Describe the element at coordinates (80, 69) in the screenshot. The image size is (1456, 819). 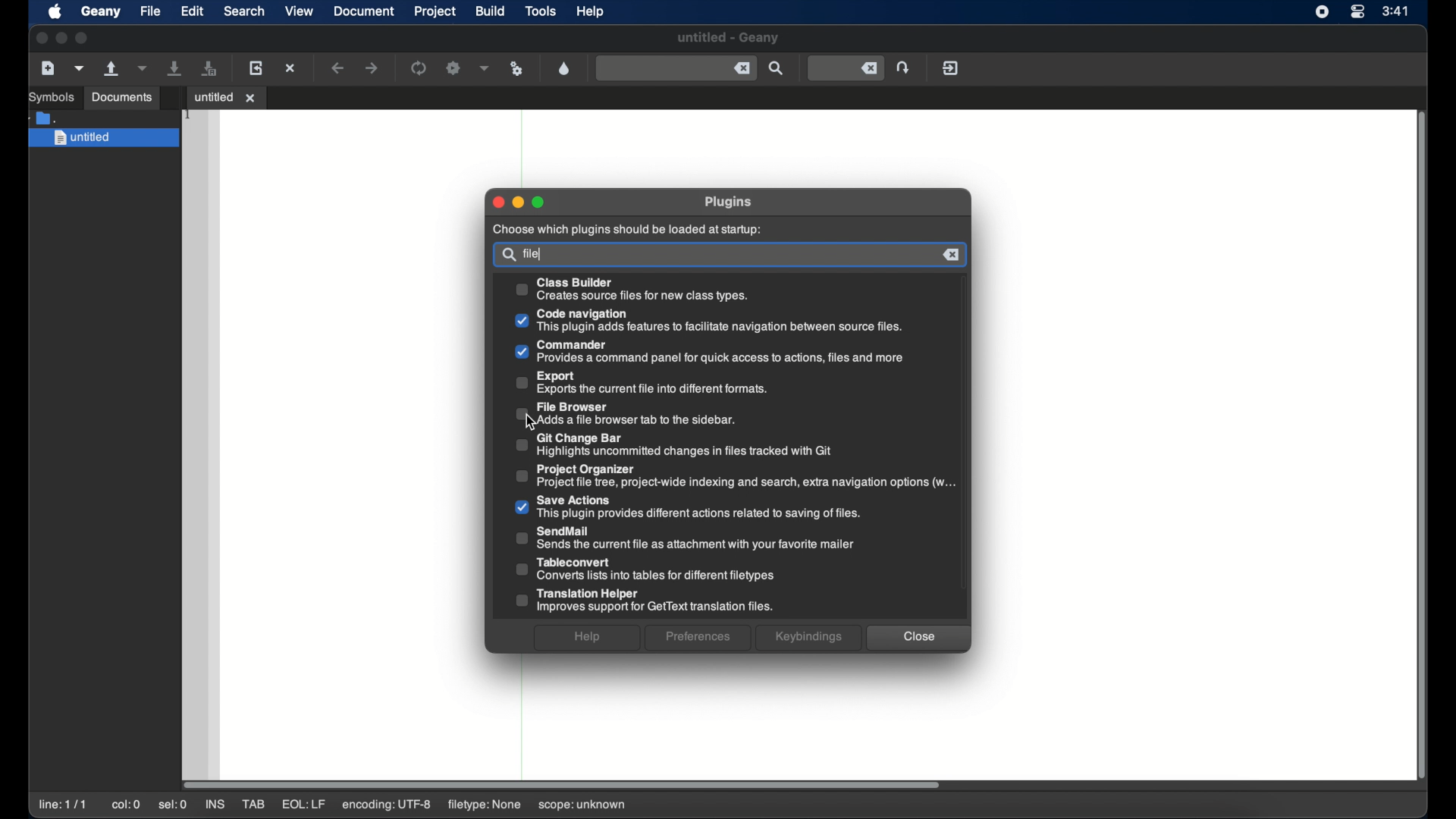
I see `create a new file from template` at that location.